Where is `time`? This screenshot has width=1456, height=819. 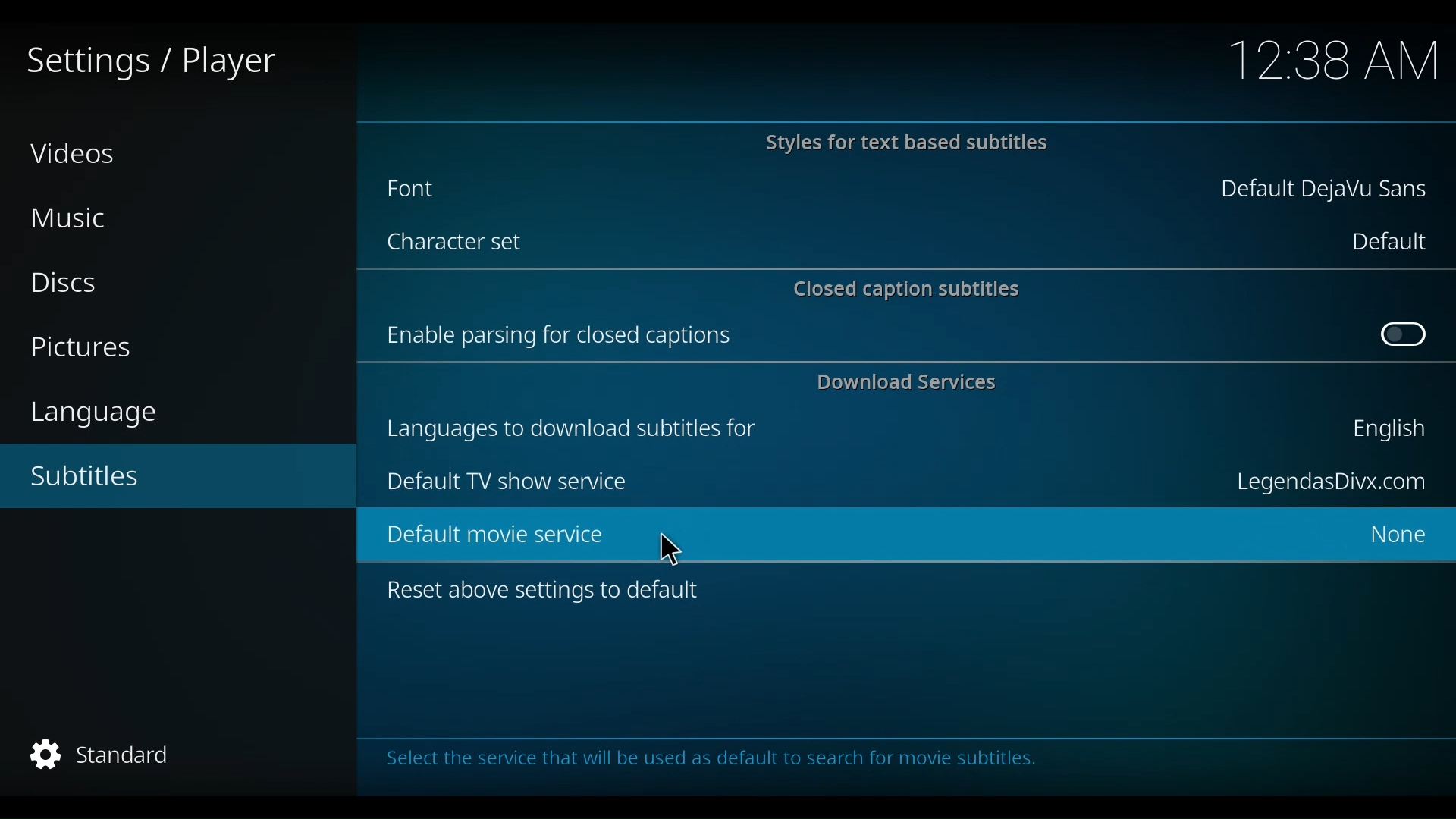
time is located at coordinates (1335, 62).